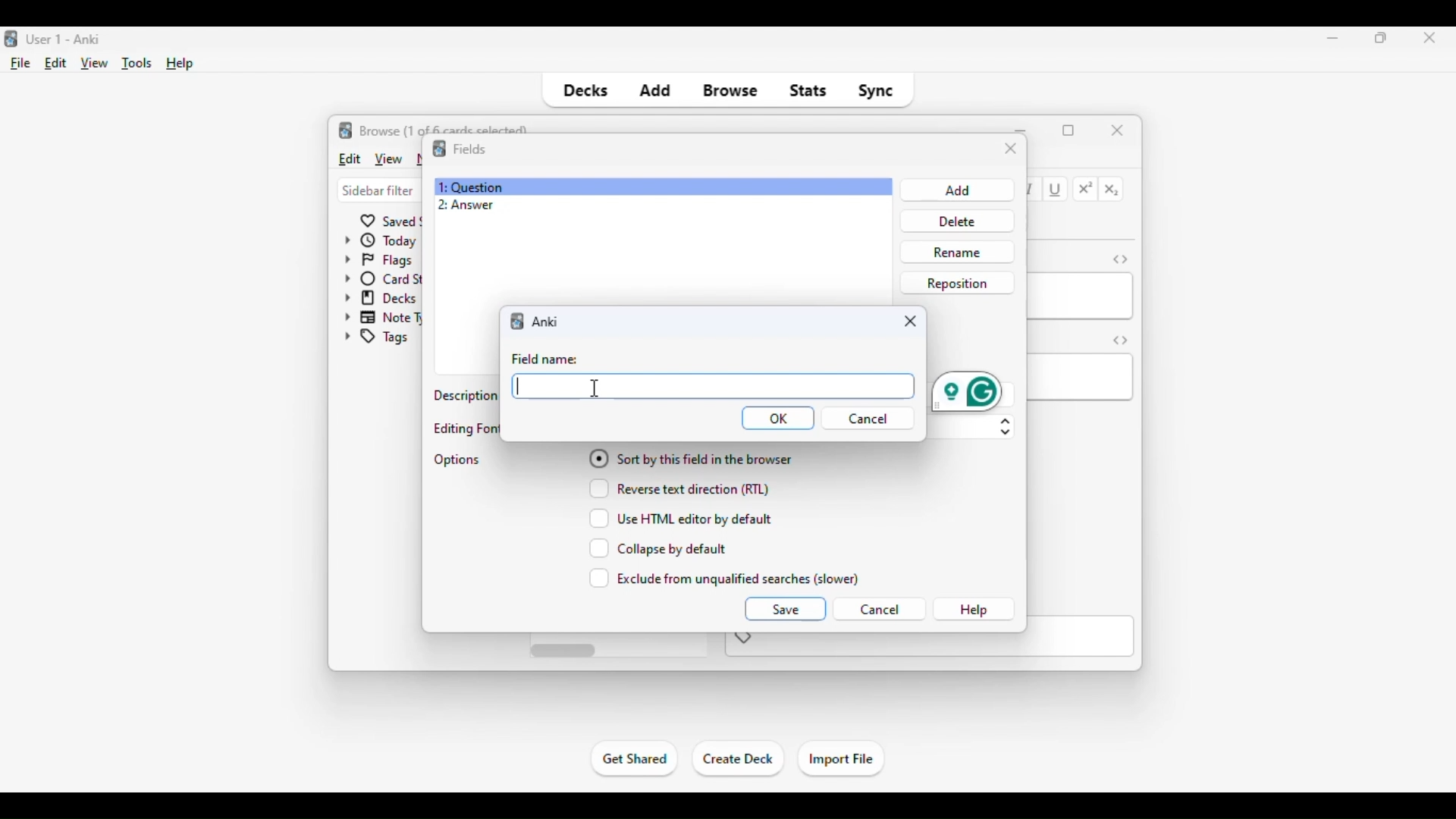  I want to click on close, so click(1118, 129).